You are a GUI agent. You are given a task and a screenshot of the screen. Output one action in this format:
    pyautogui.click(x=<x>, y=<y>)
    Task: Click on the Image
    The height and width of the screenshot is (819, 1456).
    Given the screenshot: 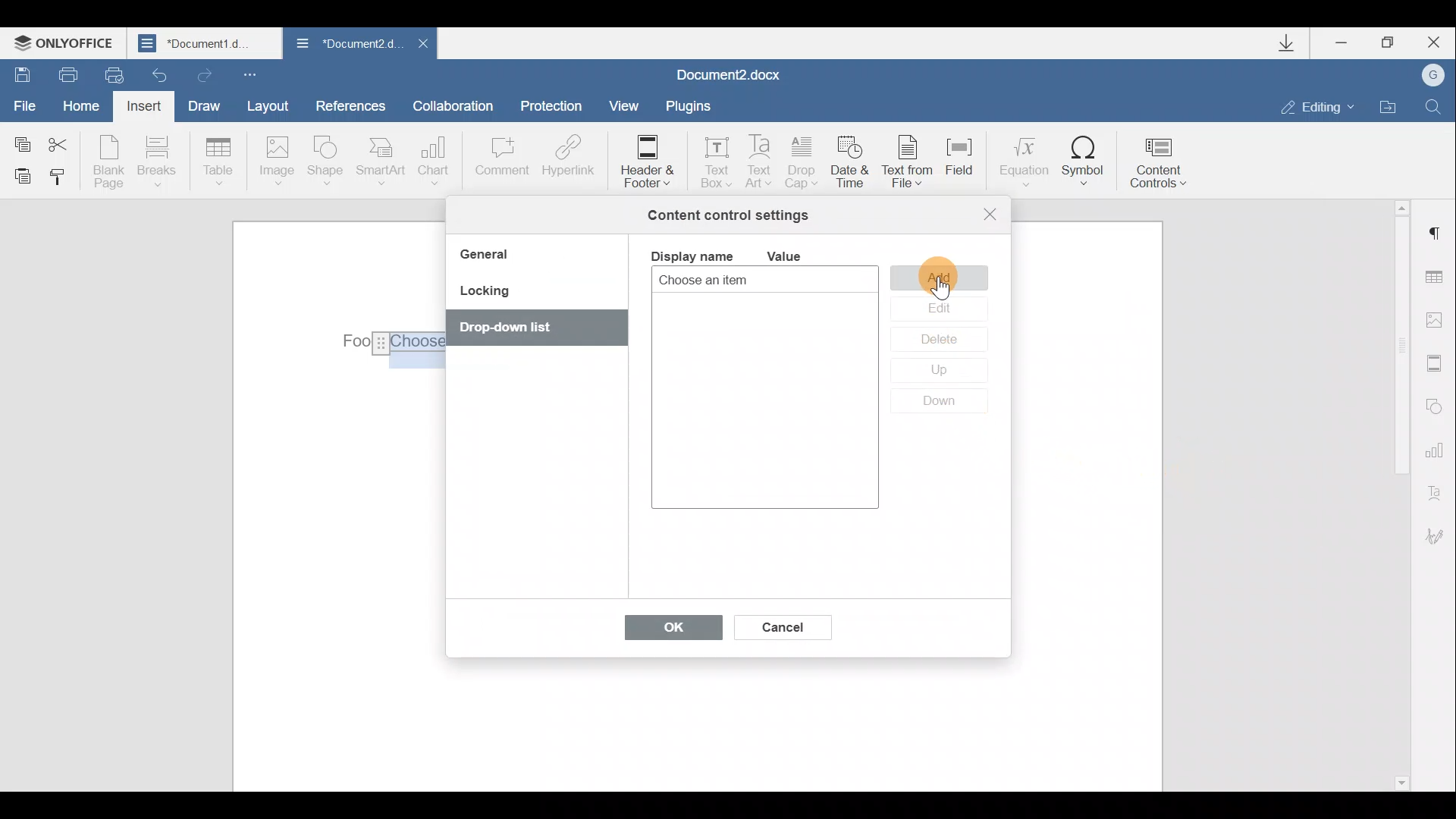 What is the action you would take?
    pyautogui.click(x=276, y=162)
    